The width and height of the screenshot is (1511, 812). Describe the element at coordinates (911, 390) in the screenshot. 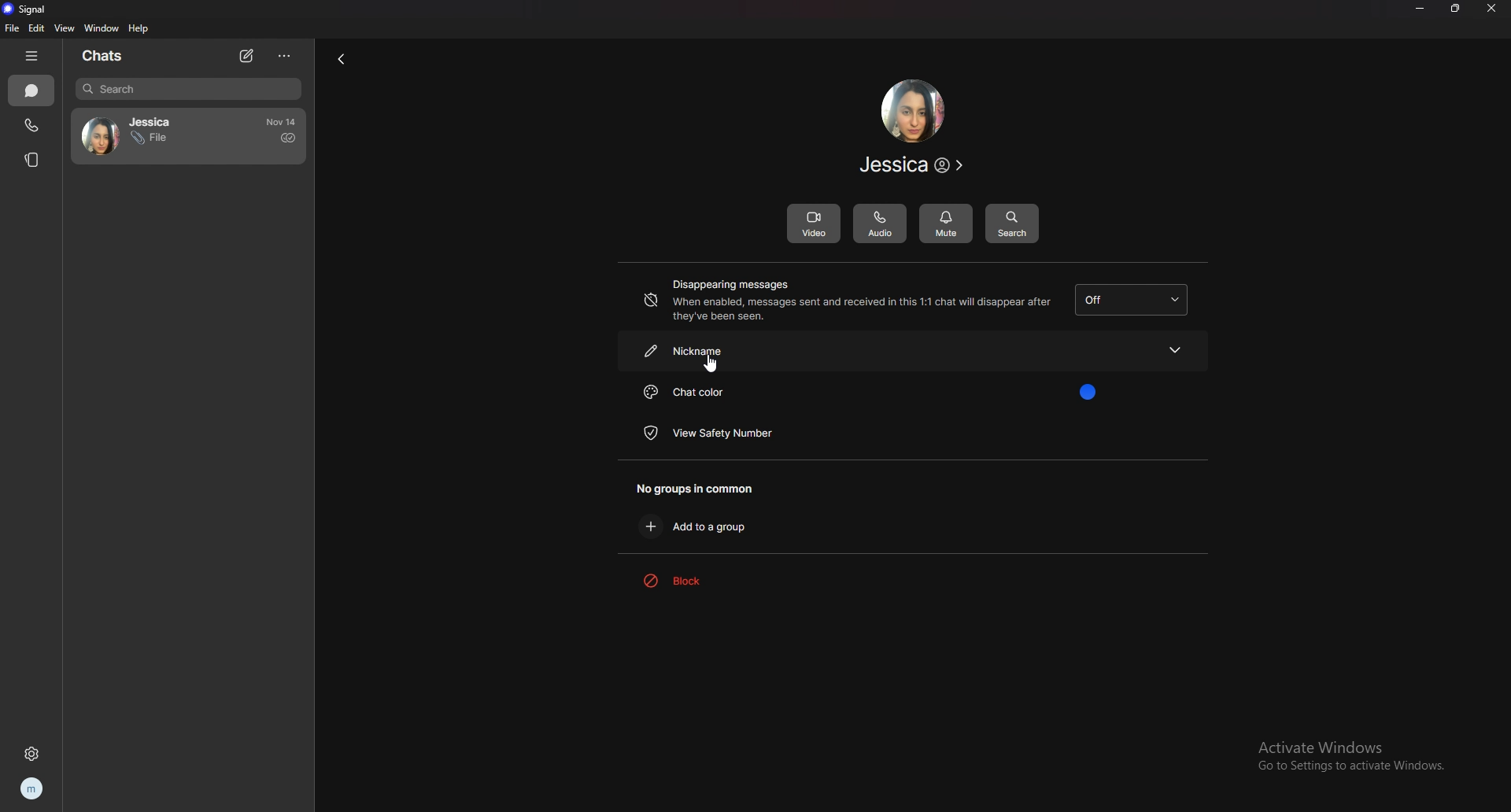

I see `chat color` at that location.